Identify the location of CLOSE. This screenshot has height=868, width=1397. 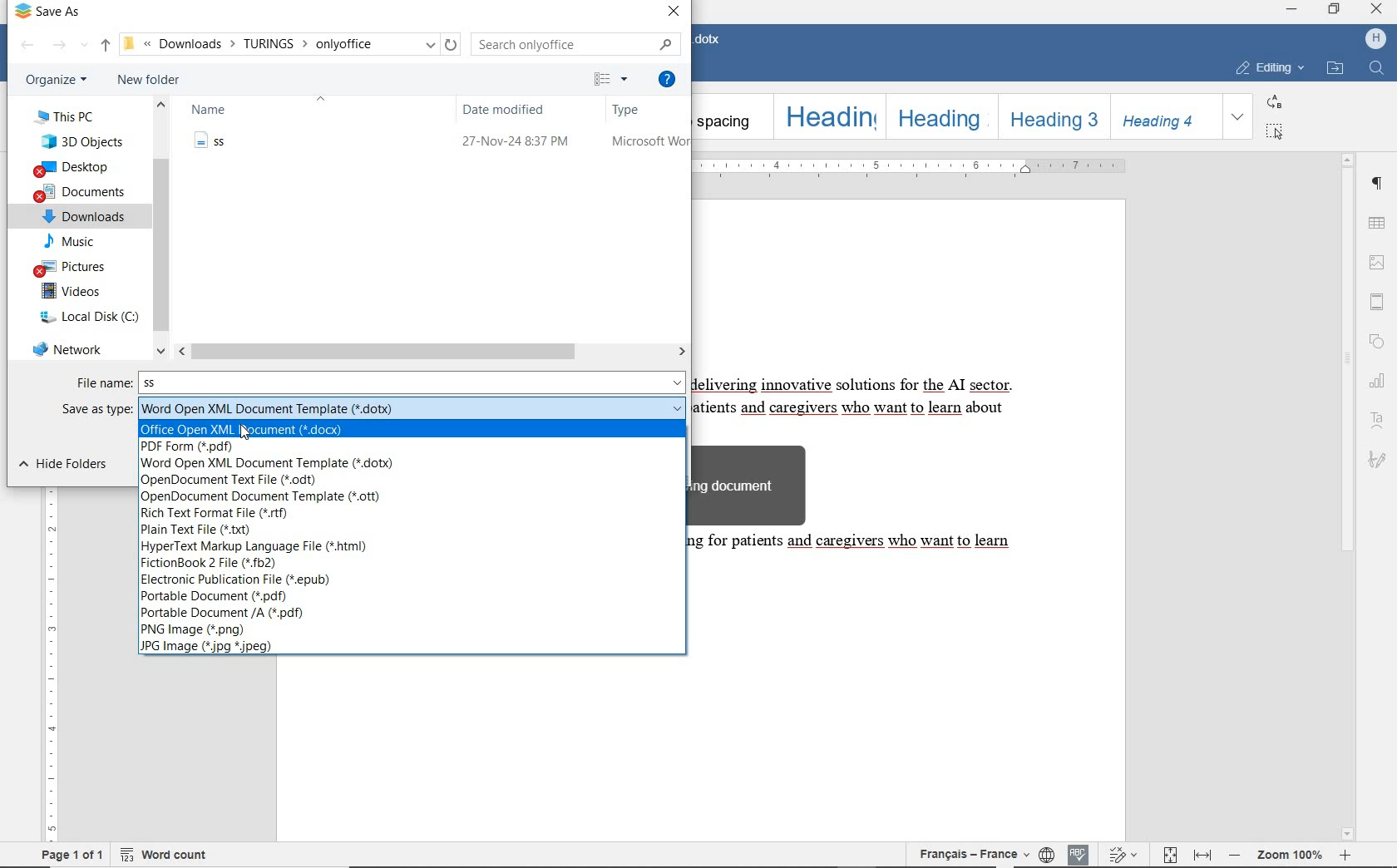
(676, 12).